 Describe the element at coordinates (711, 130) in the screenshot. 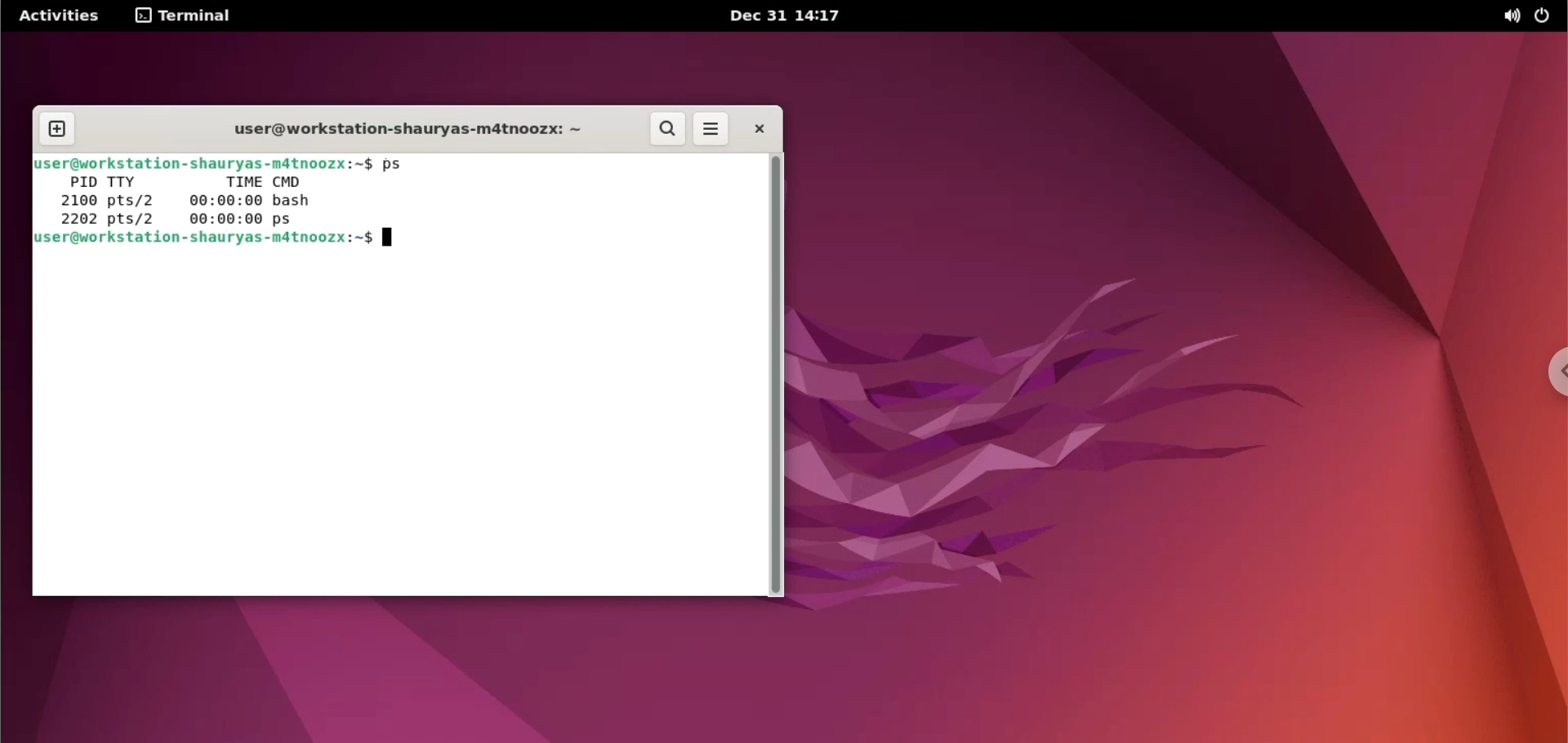

I see `more options` at that location.